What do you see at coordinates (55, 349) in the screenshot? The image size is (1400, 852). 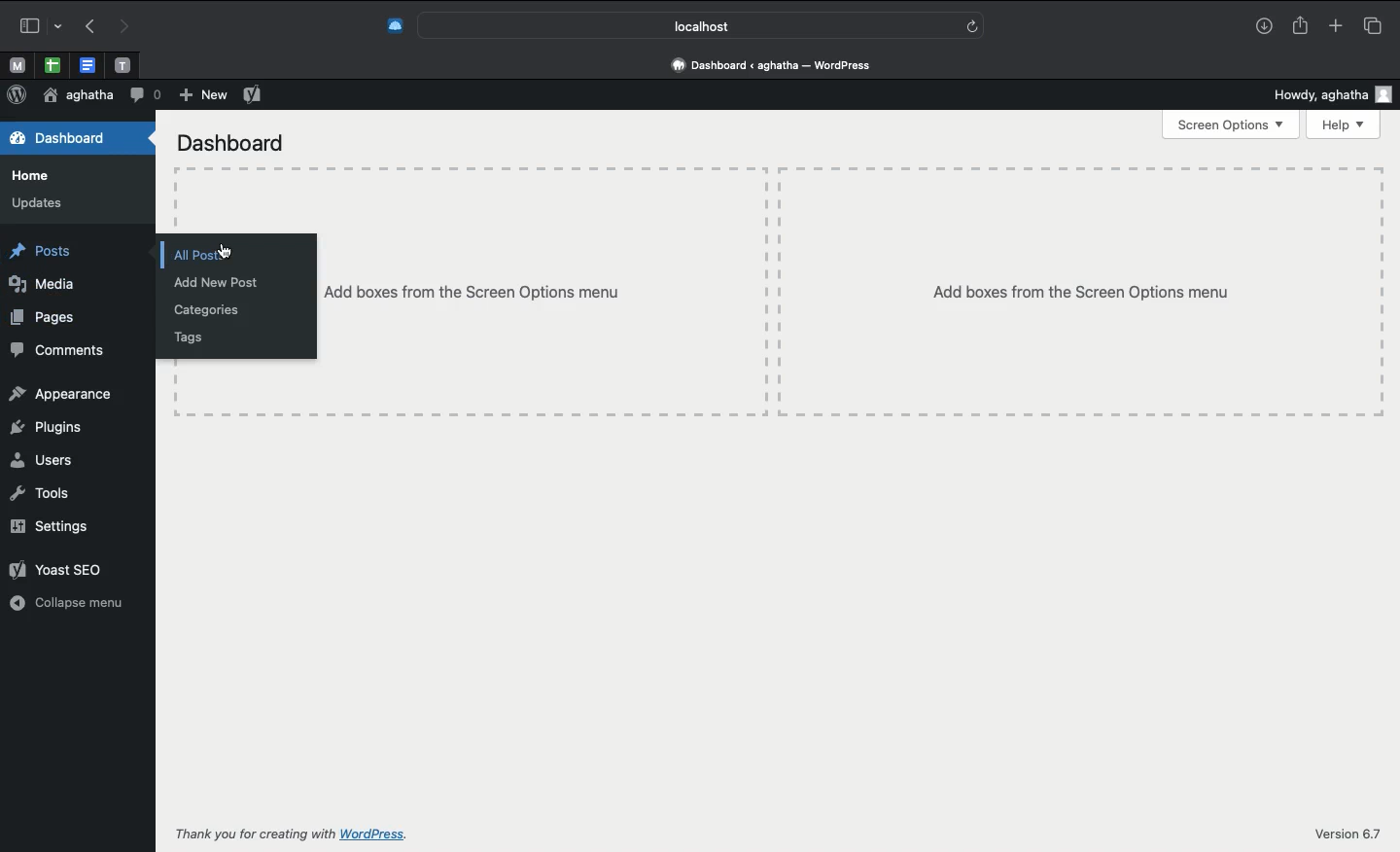 I see `Comments` at bounding box center [55, 349].